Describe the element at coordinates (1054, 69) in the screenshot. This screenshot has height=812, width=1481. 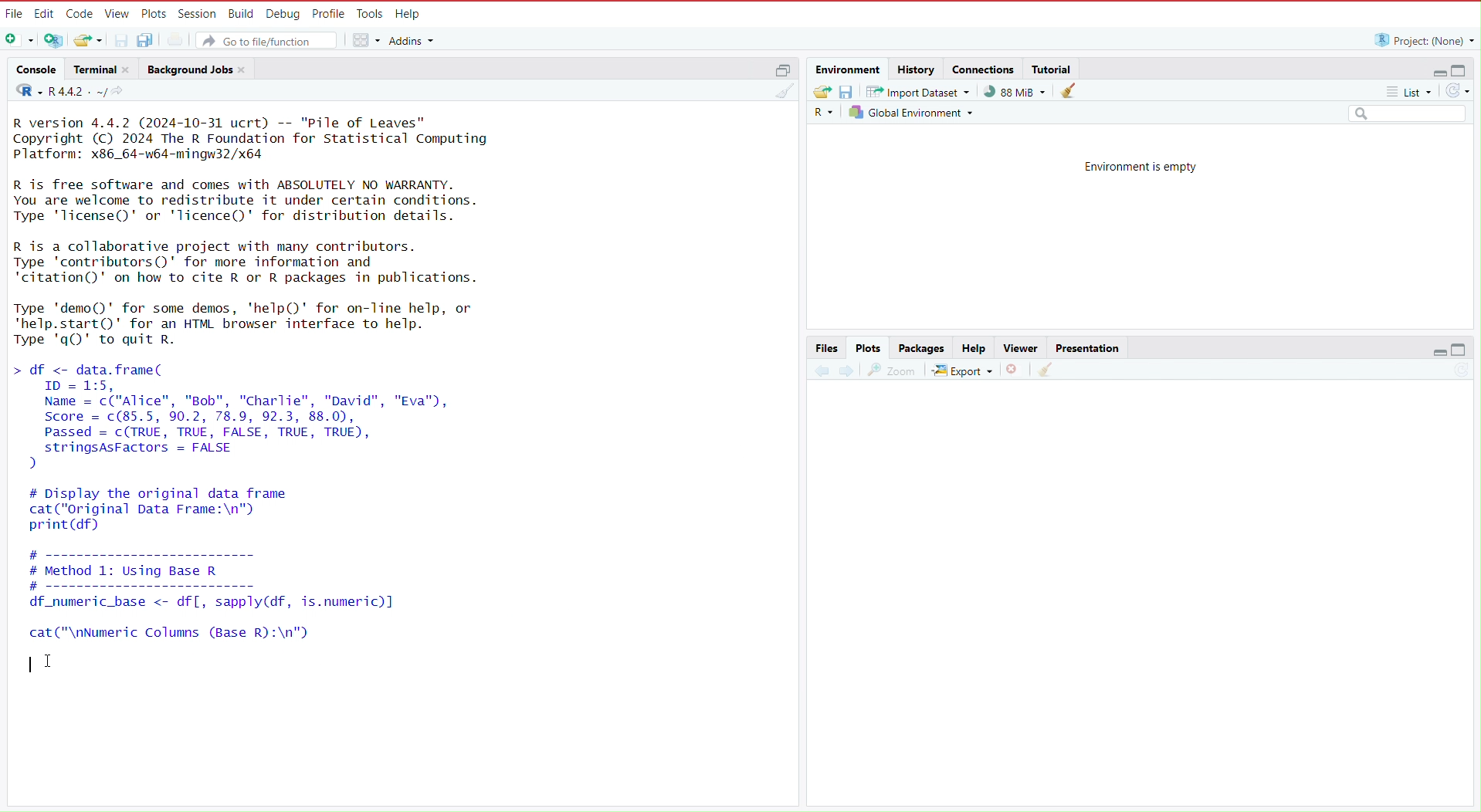
I see `Tutorial` at that location.